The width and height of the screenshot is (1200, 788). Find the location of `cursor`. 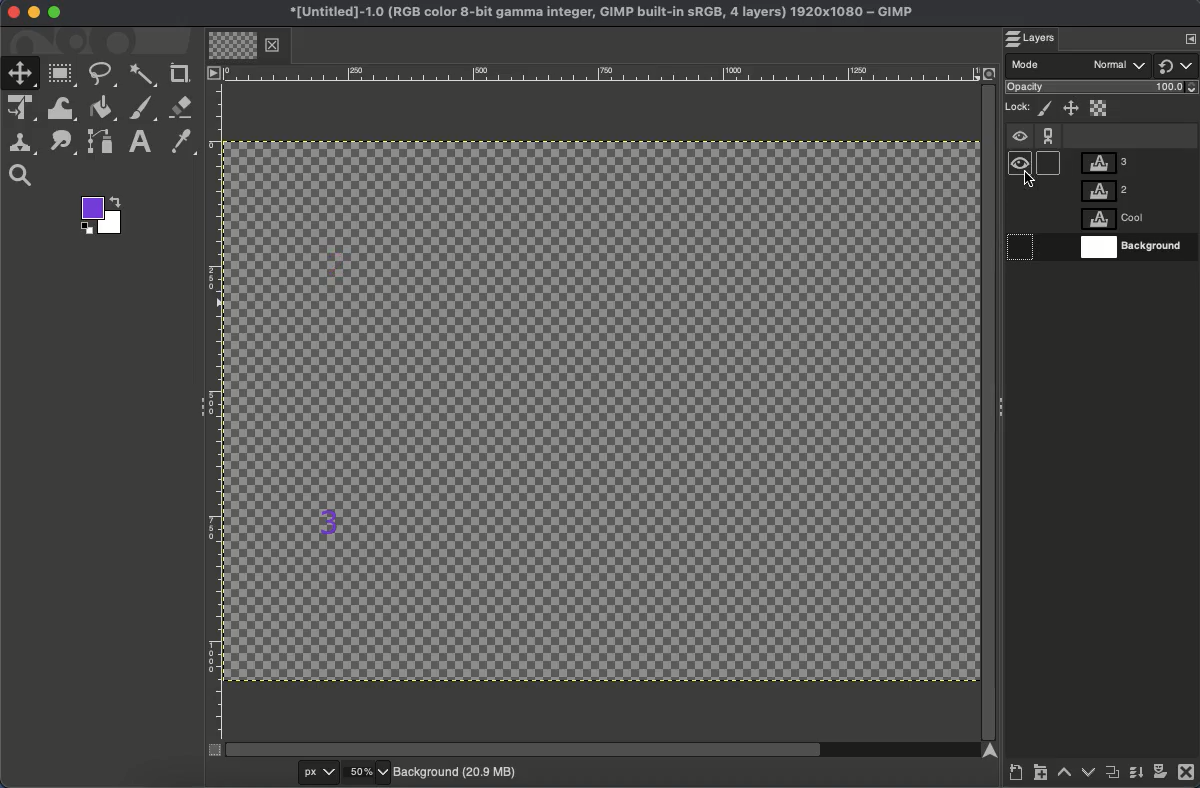

cursor is located at coordinates (1033, 180).